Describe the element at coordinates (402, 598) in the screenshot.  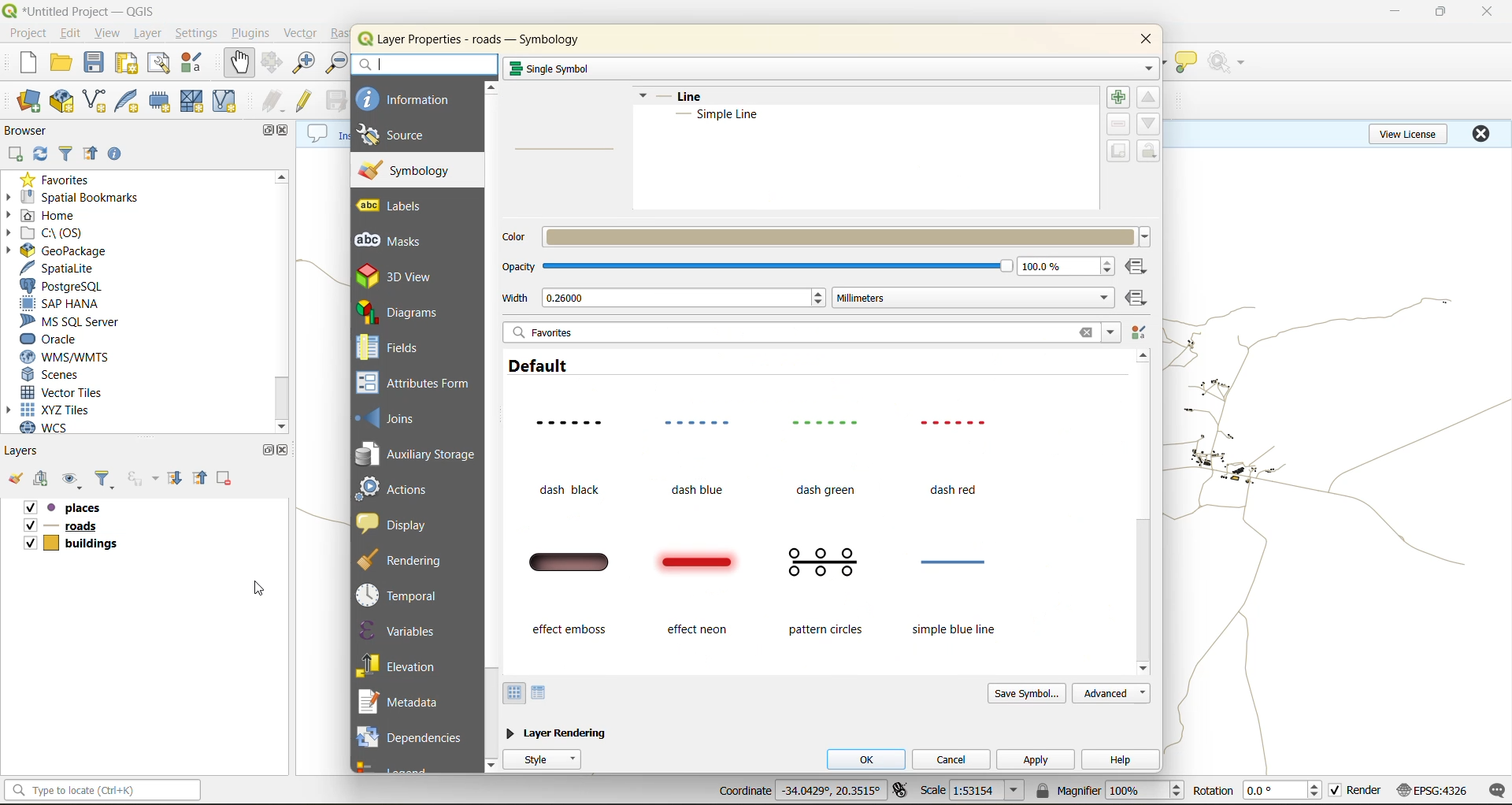
I see `temporal` at that location.